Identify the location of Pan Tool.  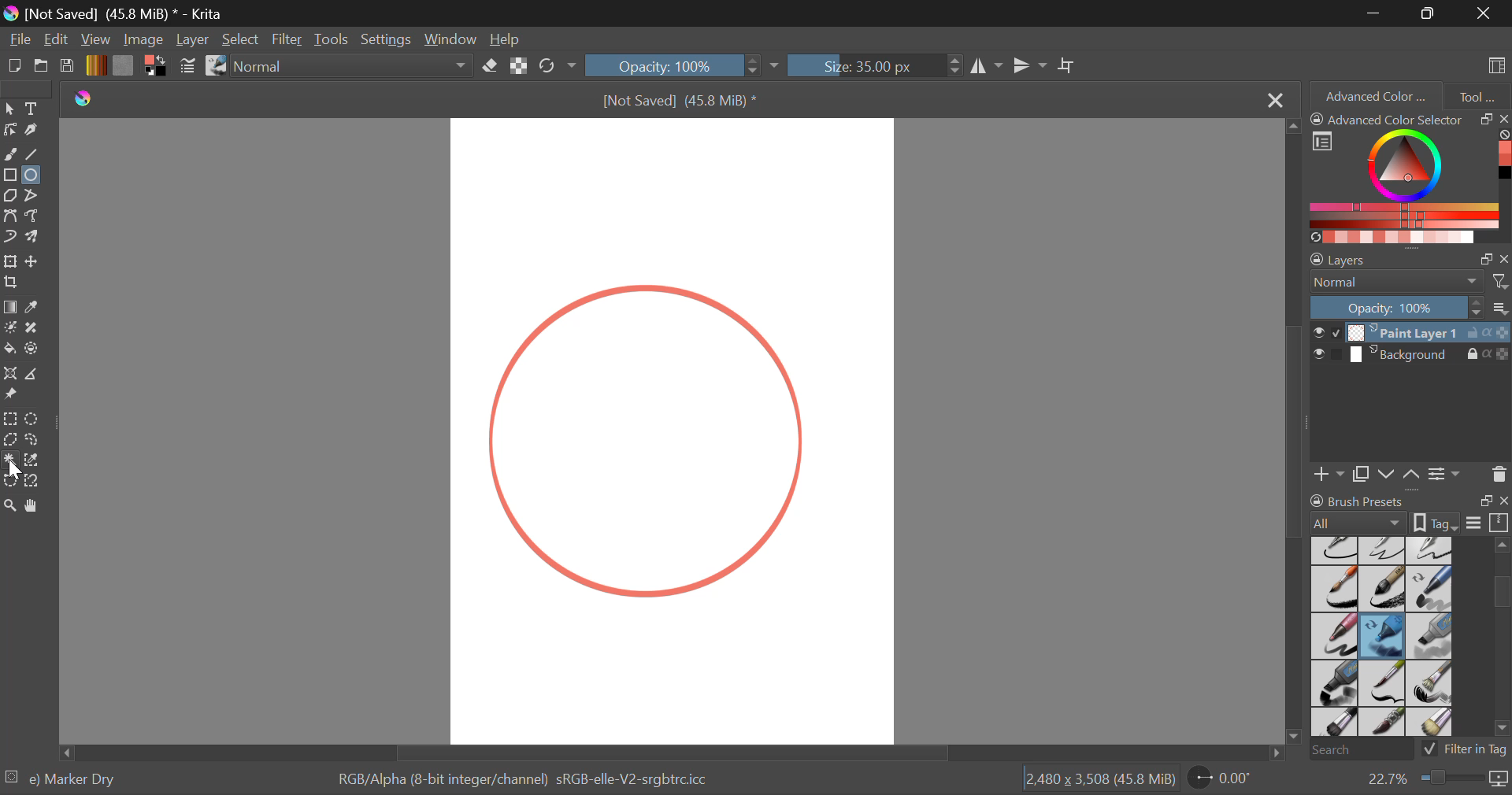
(35, 505).